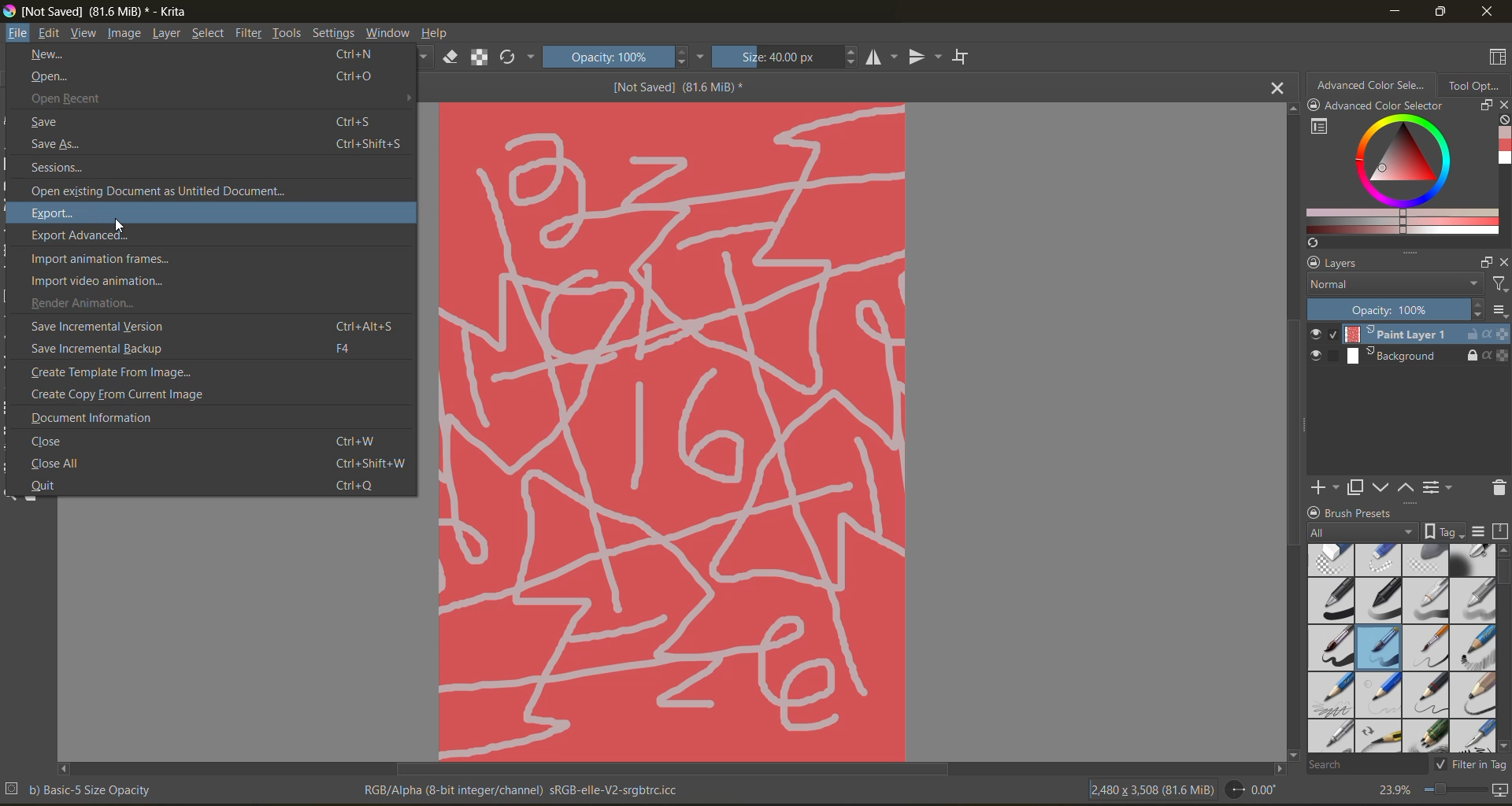 The height and width of the screenshot is (806, 1512). I want to click on duplicate mask, so click(1355, 488).